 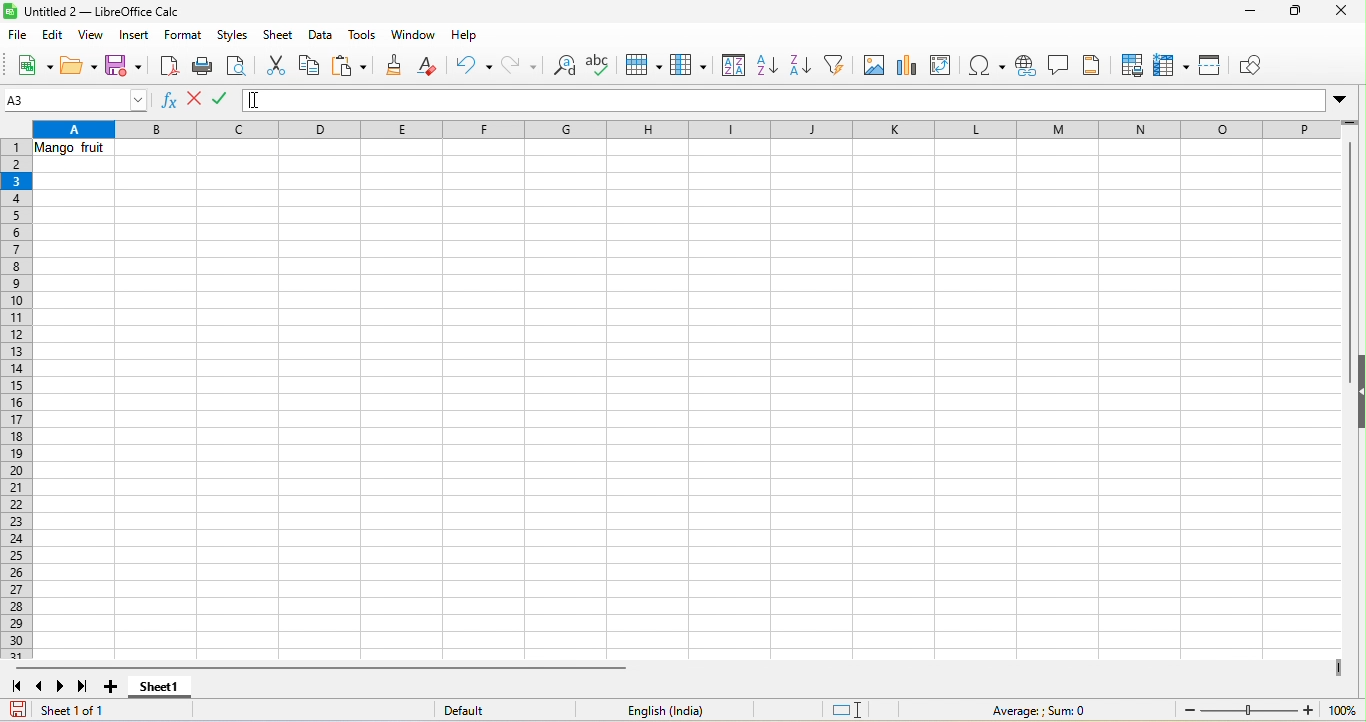 What do you see at coordinates (1129, 64) in the screenshot?
I see `print area` at bounding box center [1129, 64].